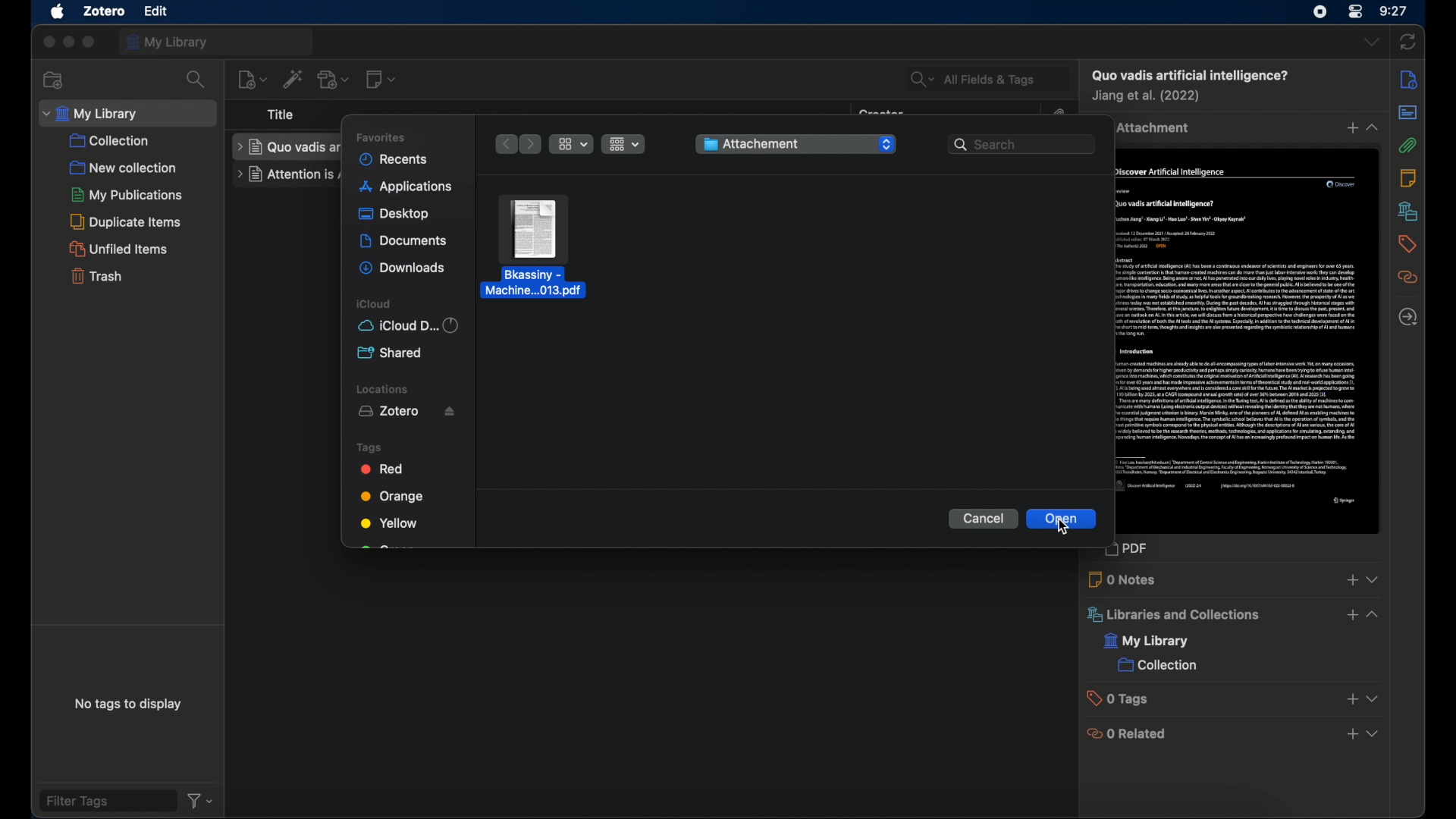 The image size is (1456, 819). Describe the element at coordinates (1376, 614) in the screenshot. I see `dropdown menu opened` at that location.